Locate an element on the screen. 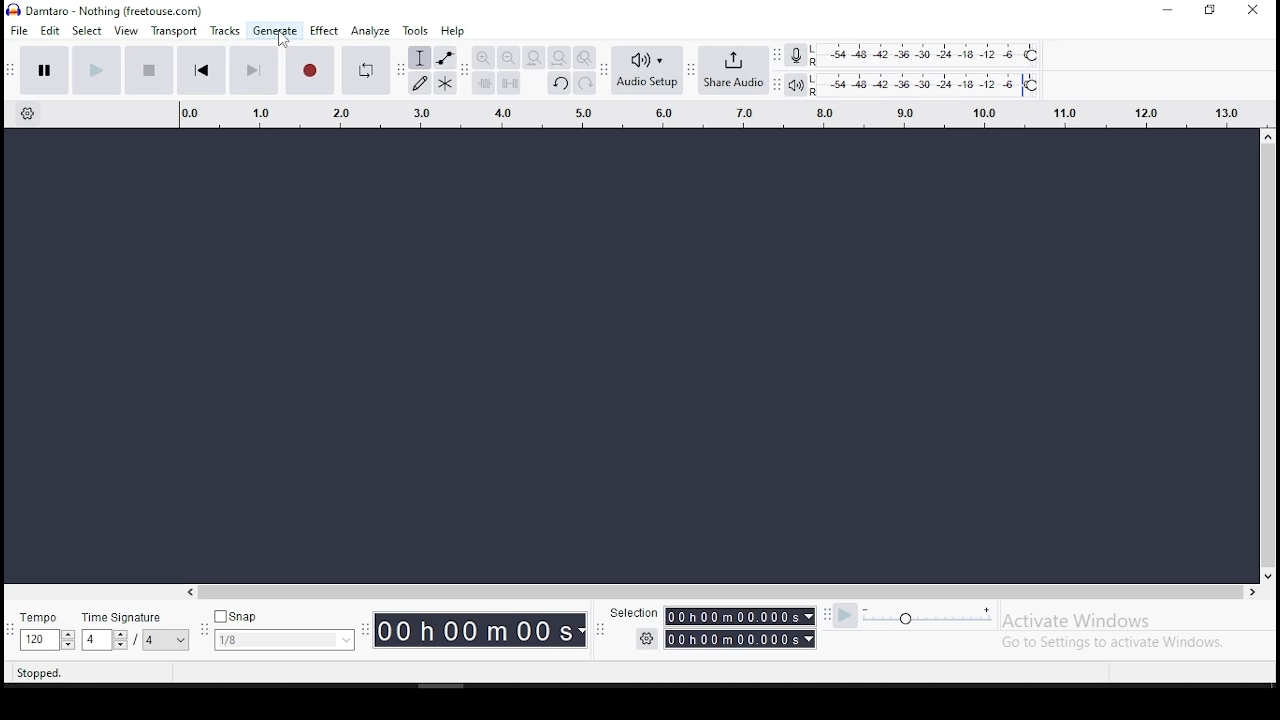 Image resolution: width=1280 pixels, height=720 pixels. redo is located at coordinates (583, 86).